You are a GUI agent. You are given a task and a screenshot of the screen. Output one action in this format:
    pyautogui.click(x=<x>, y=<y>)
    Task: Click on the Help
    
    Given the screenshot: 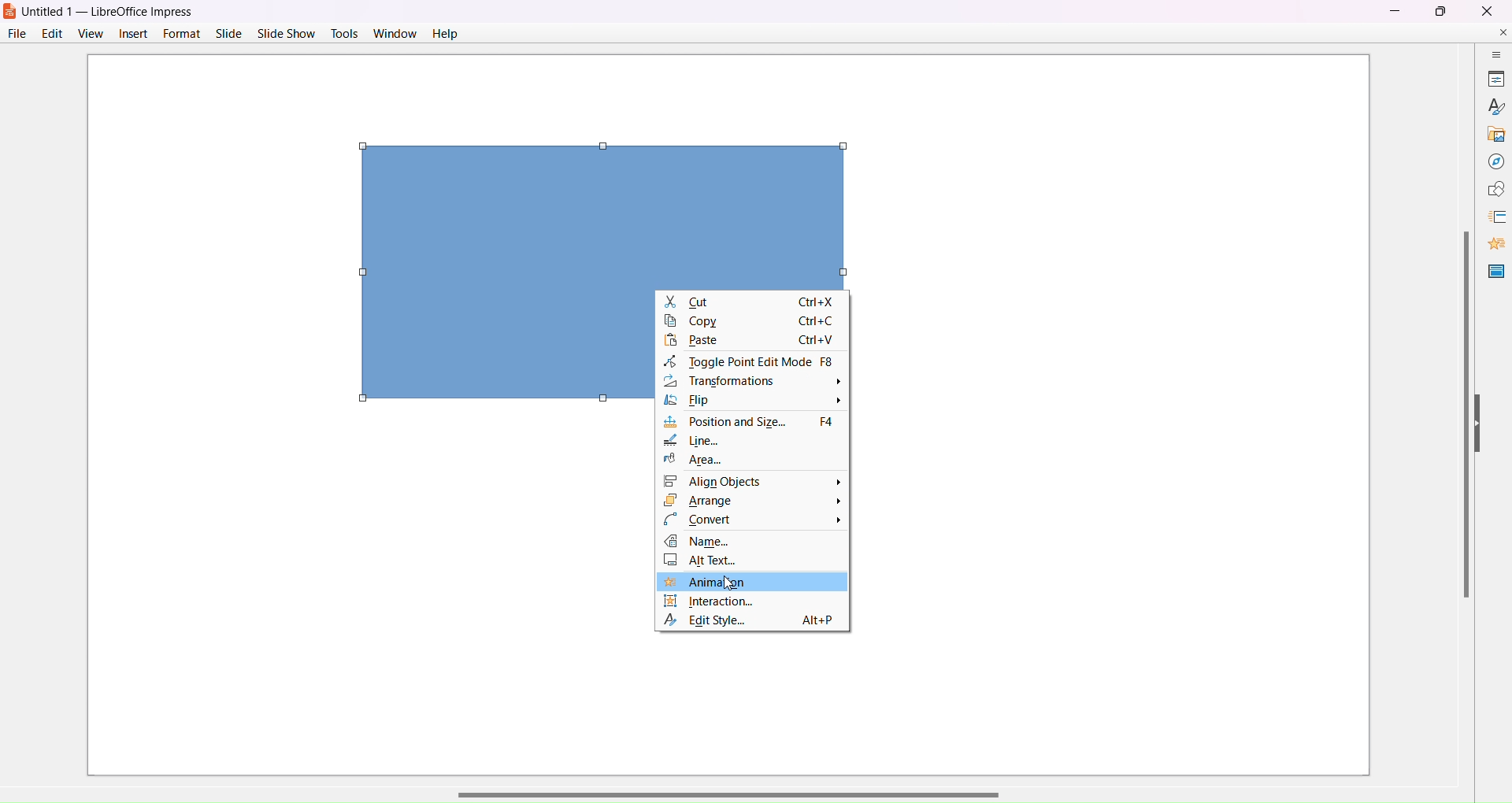 What is the action you would take?
    pyautogui.click(x=444, y=35)
    